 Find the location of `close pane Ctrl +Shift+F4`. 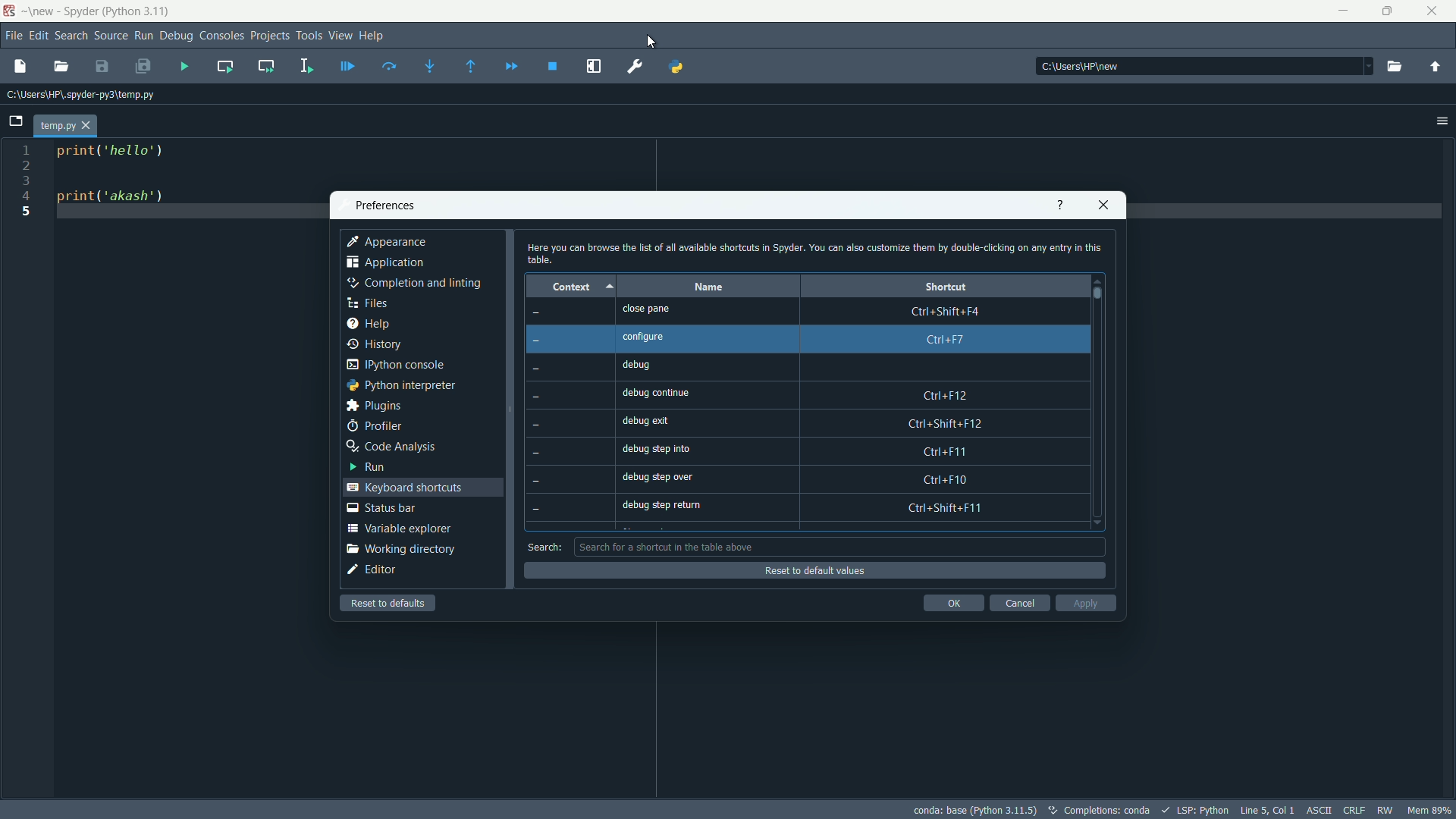

close pane Ctrl +Shift+F4 is located at coordinates (814, 310).